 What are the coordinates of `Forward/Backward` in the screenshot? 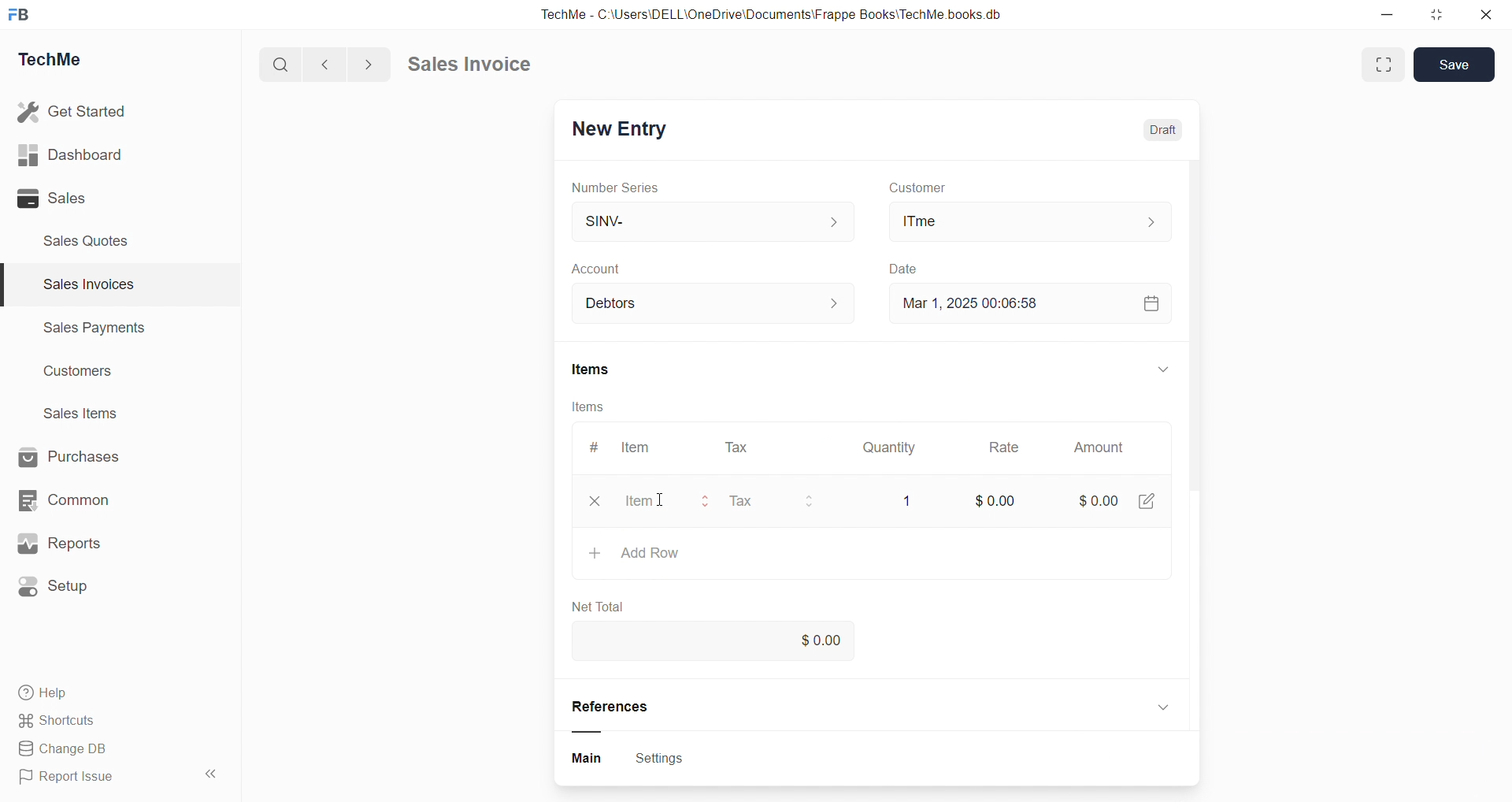 It's located at (348, 63).